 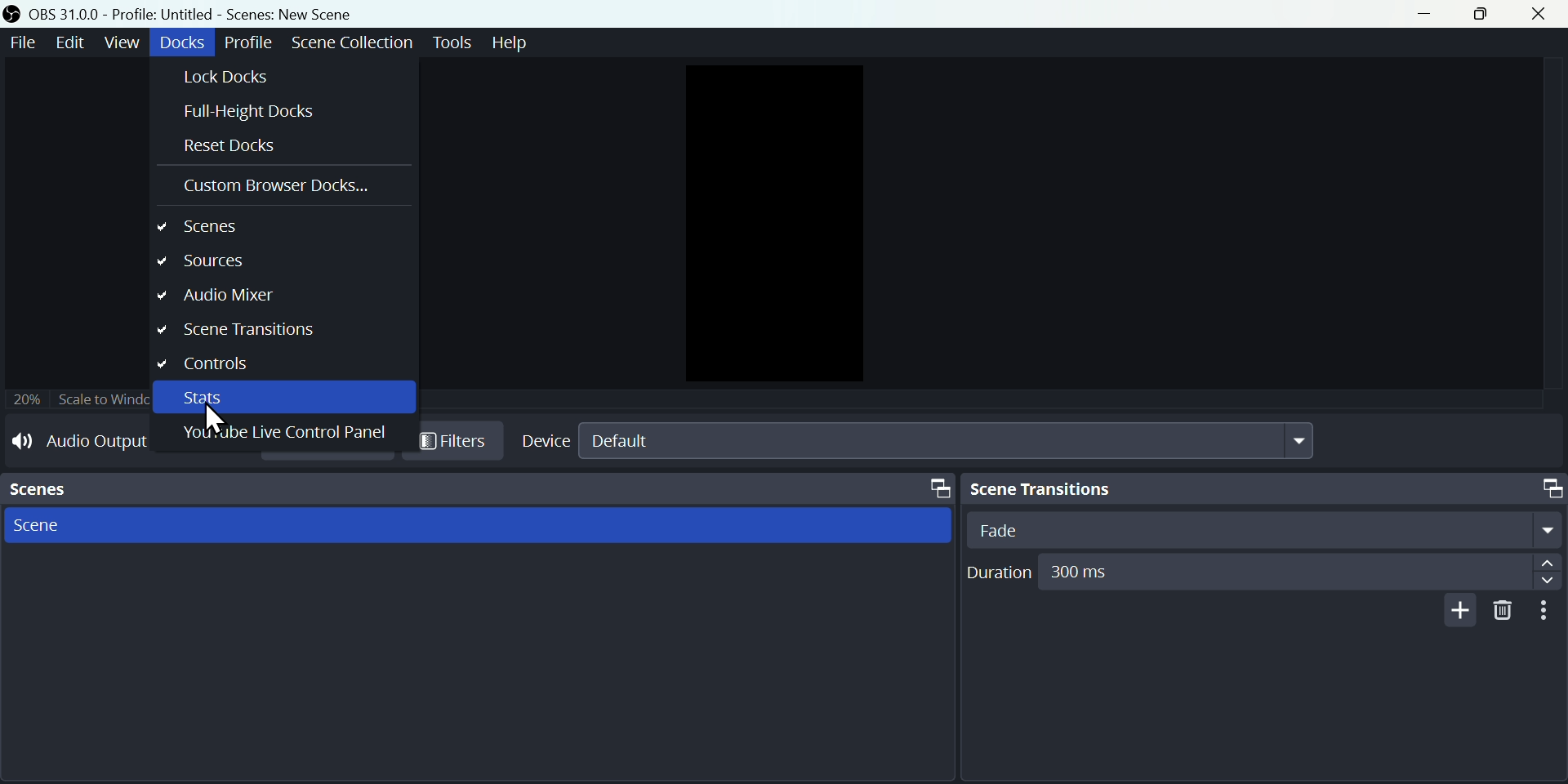 I want to click on YouTube Live Control Panel, so click(x=274, y=434).